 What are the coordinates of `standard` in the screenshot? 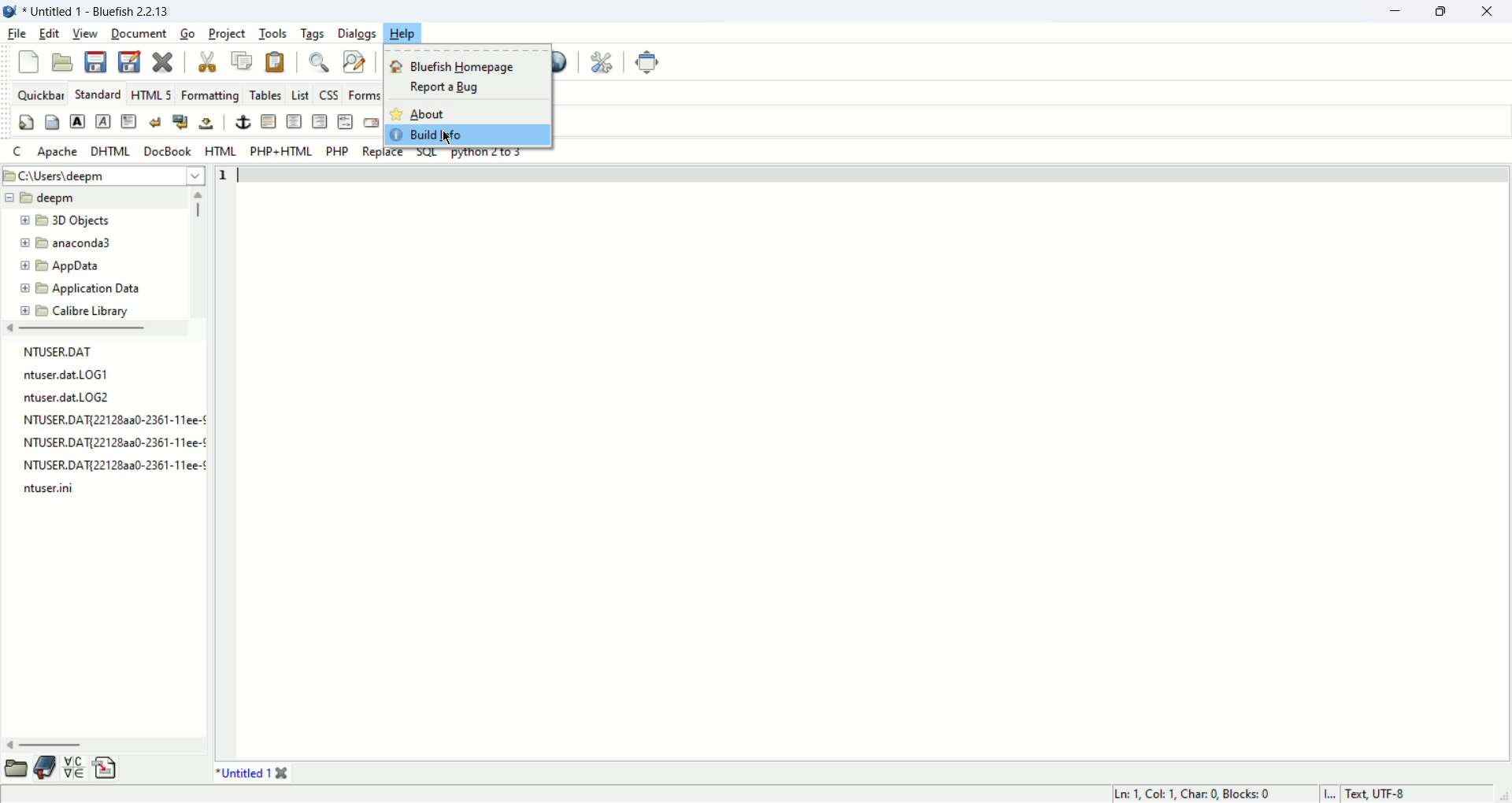 It's located at (98, 94).